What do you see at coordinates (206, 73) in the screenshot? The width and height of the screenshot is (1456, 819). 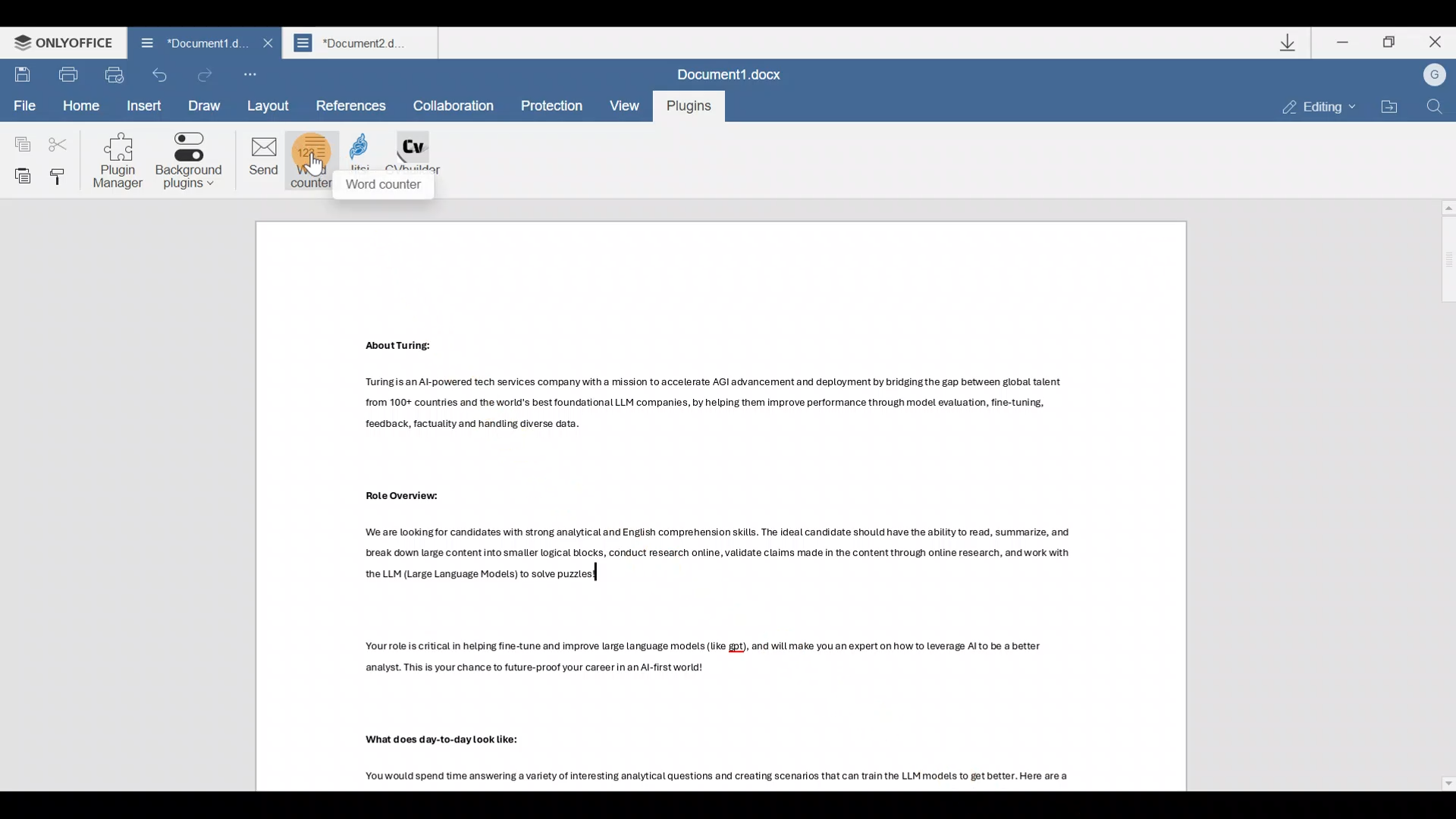 I see `Redo` at bounding box center [206, 73].